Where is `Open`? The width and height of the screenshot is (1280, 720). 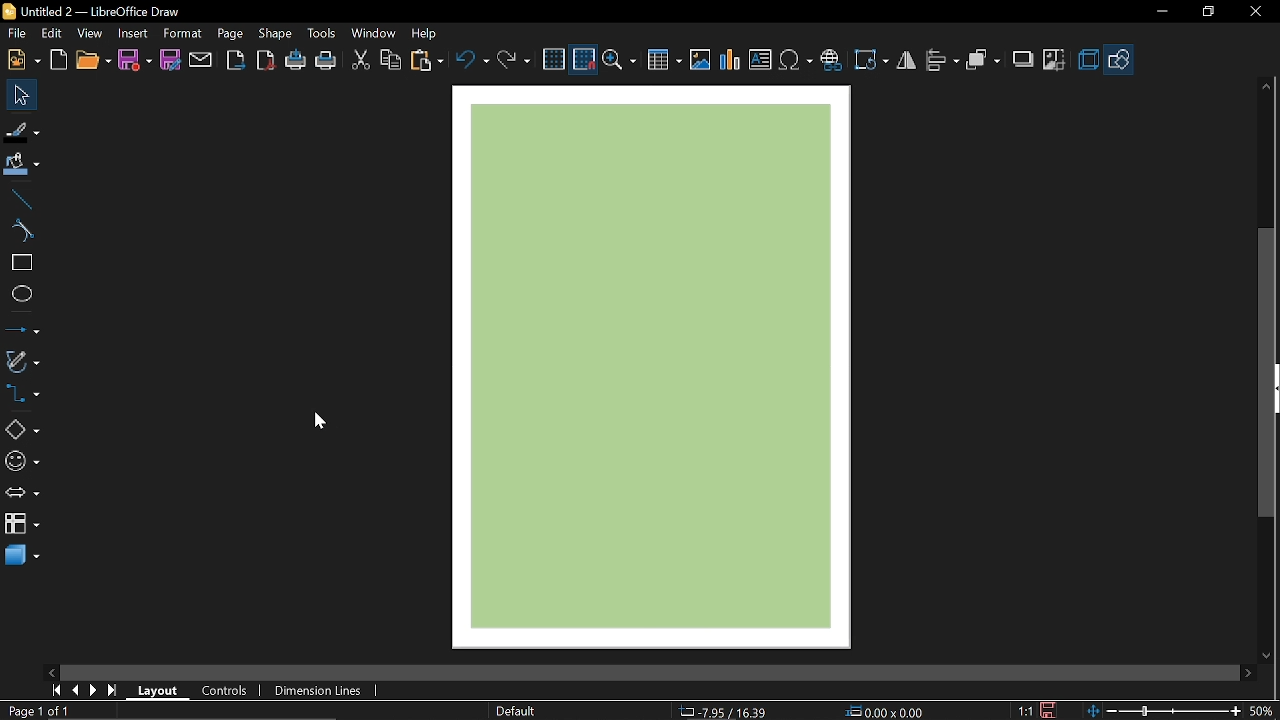
Open is located at coordinates (92, 61).